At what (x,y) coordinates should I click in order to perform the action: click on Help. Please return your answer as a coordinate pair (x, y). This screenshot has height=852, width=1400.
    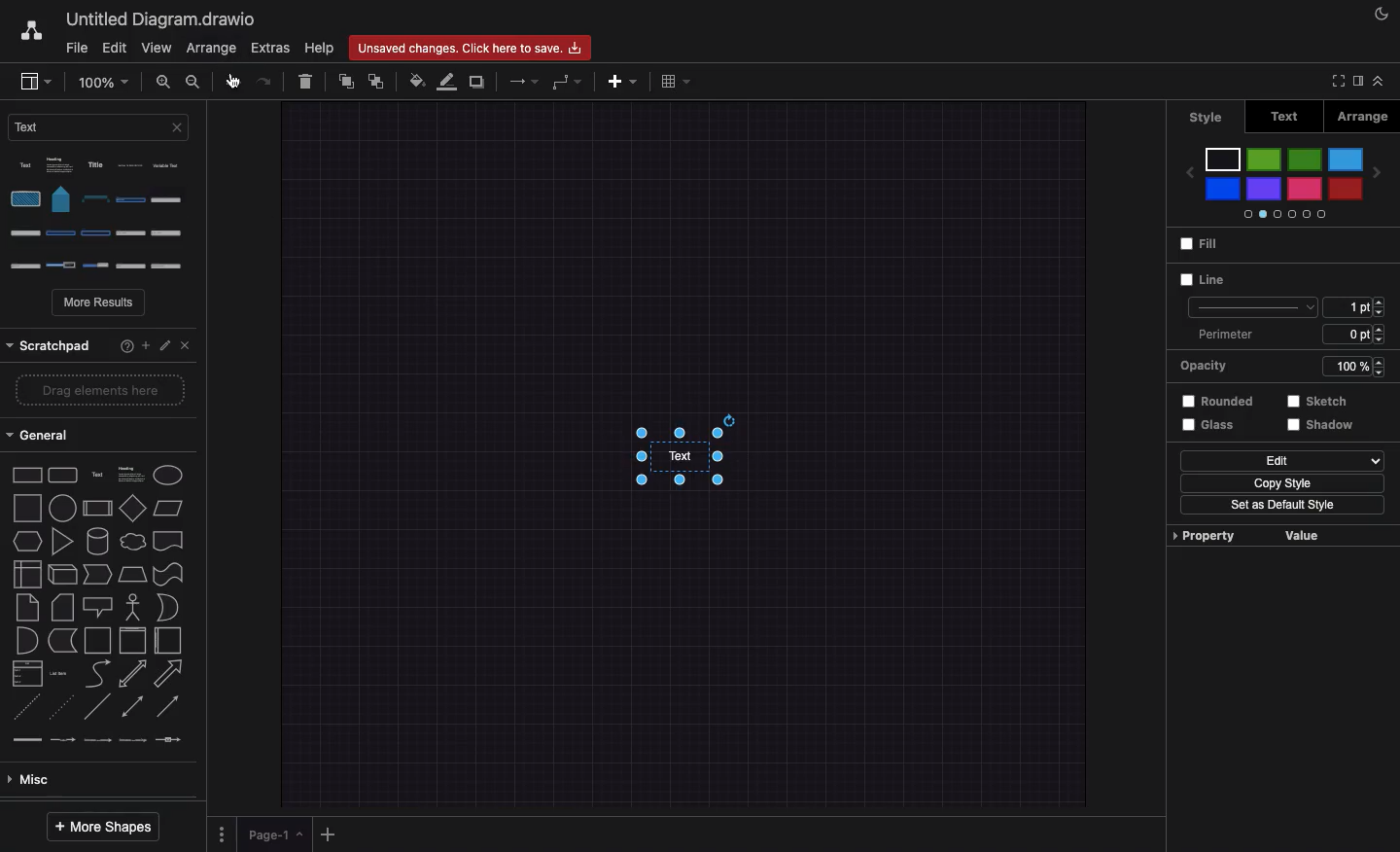
    Looking at the image, I should click on (320, 48).